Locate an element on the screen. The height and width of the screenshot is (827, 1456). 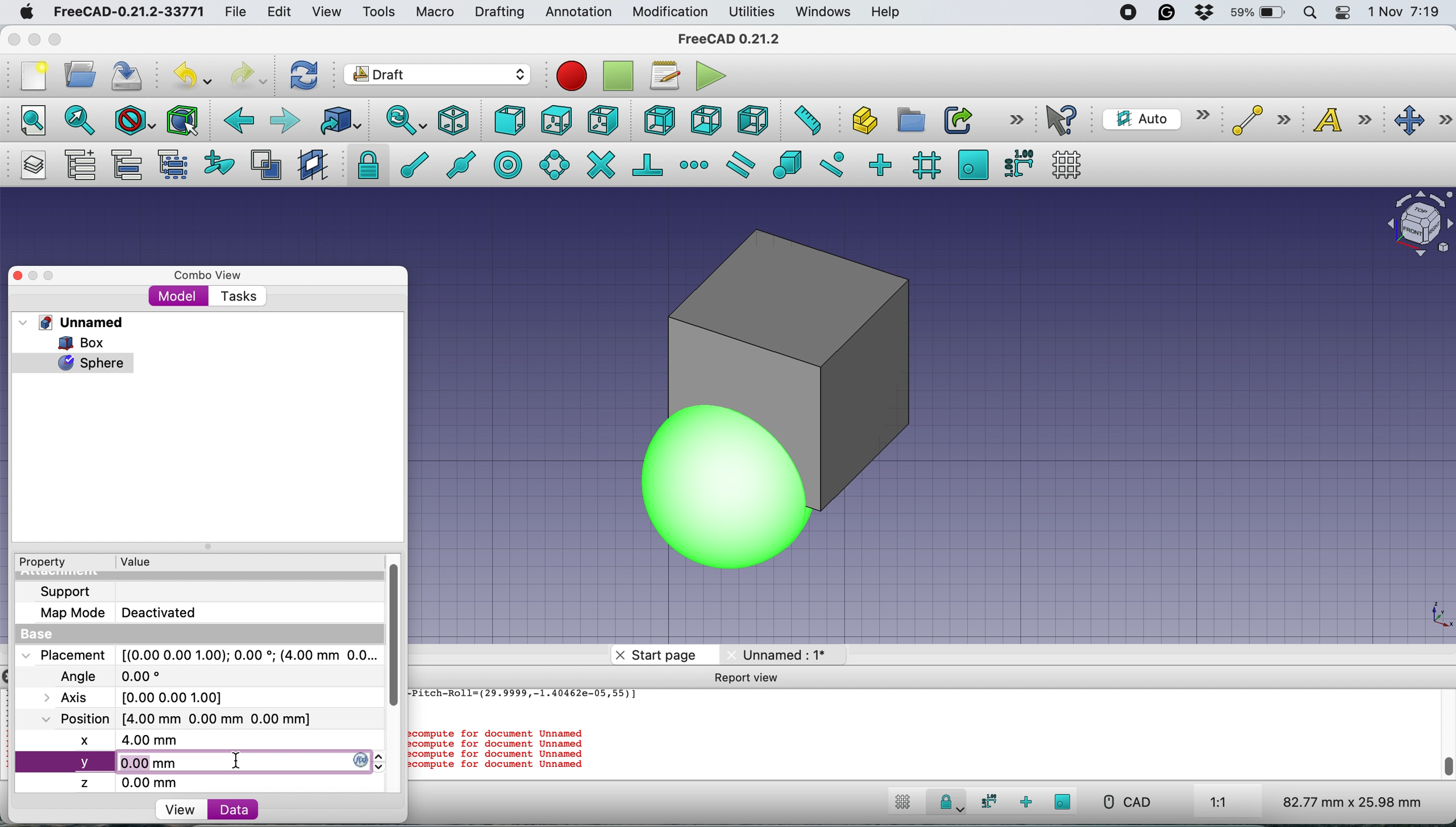
model is located at coordinates (178, 295).